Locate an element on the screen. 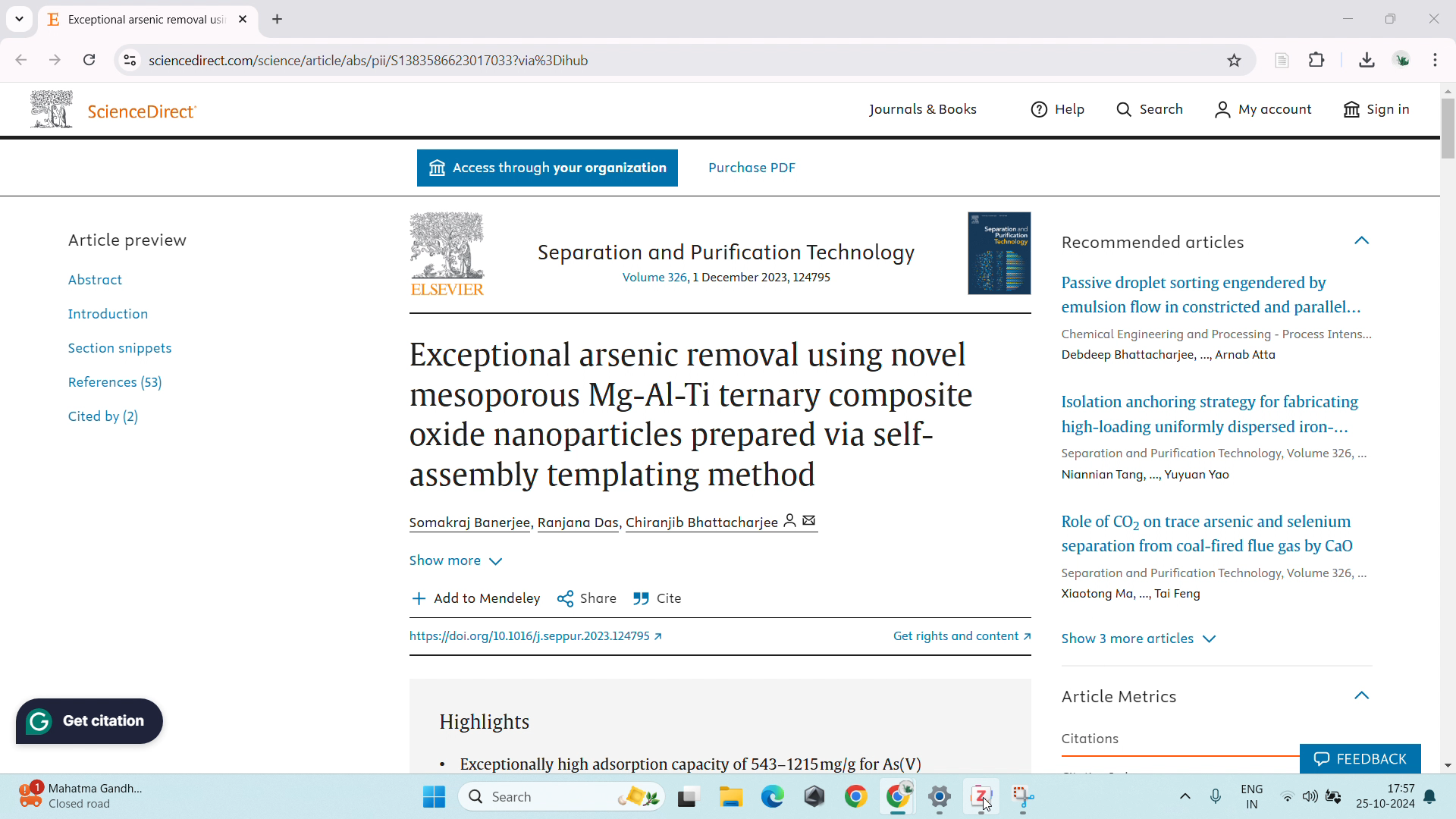 The image size is (1456, 819). Help is located at coordinates (1062, 109).